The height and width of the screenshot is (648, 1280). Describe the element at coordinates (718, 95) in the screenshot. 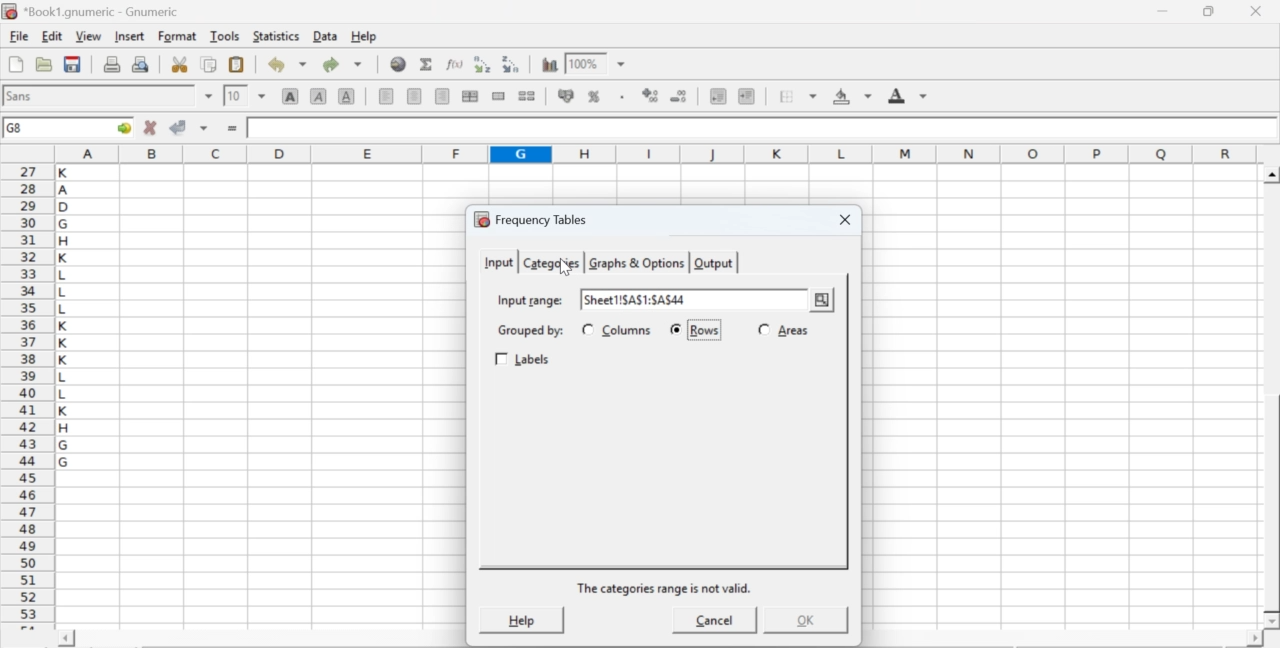

I see `decrease indent` at that location.